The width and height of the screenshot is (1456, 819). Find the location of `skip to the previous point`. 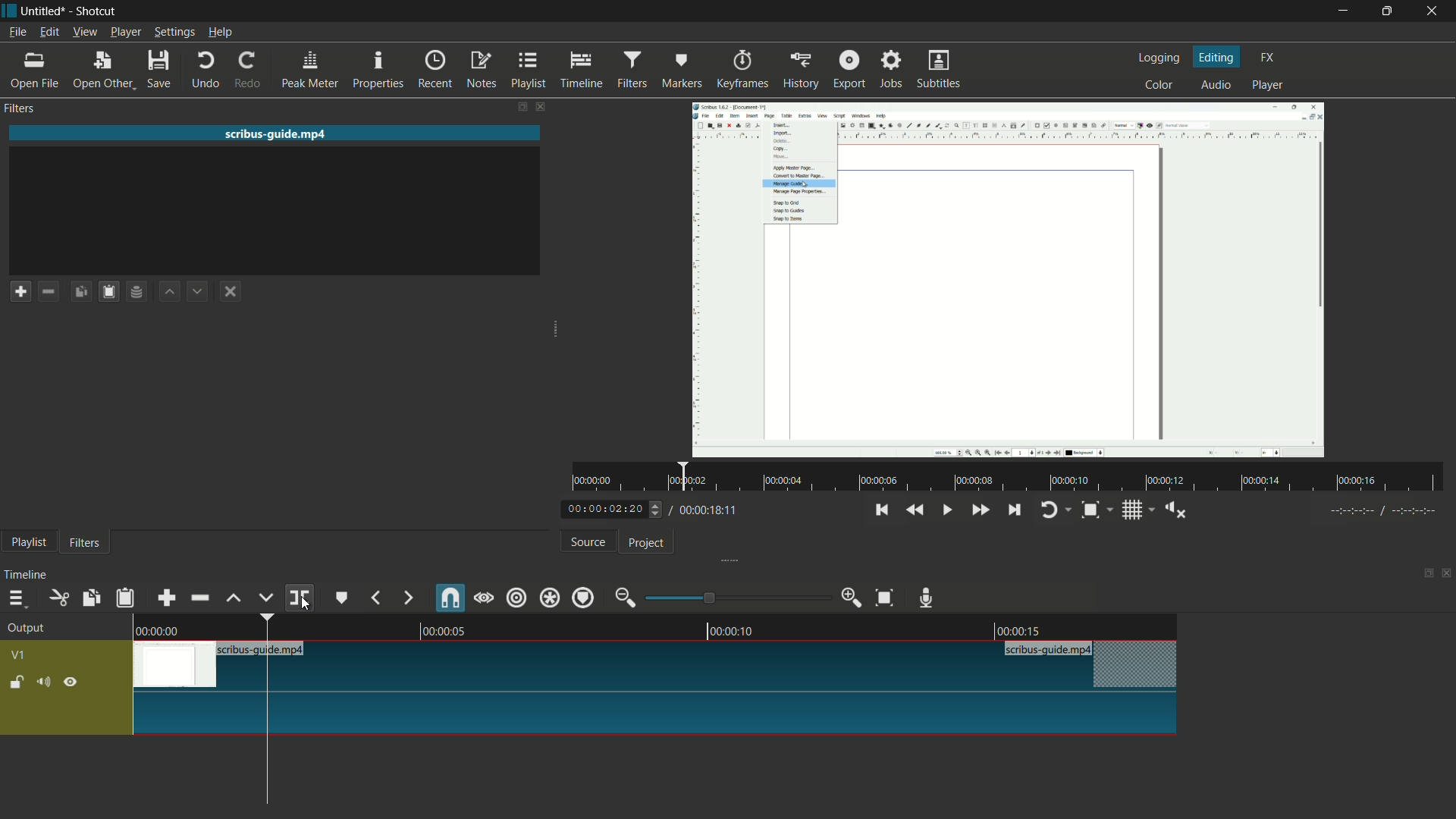

skip to the previous point is located at coordinates (881, 510).